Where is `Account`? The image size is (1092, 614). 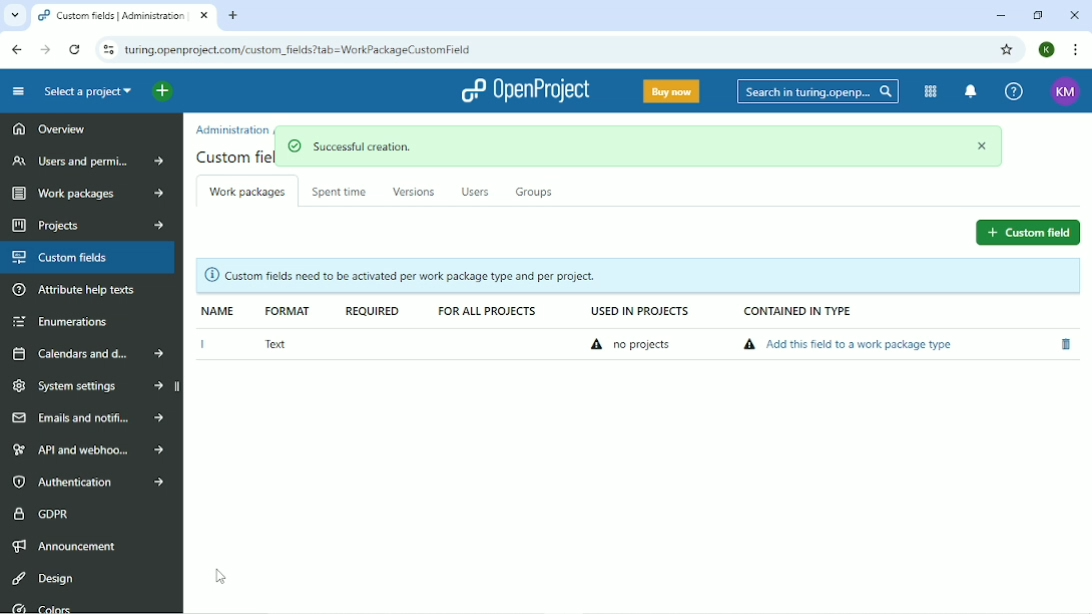
Account is located at coordinates (1046, 49).